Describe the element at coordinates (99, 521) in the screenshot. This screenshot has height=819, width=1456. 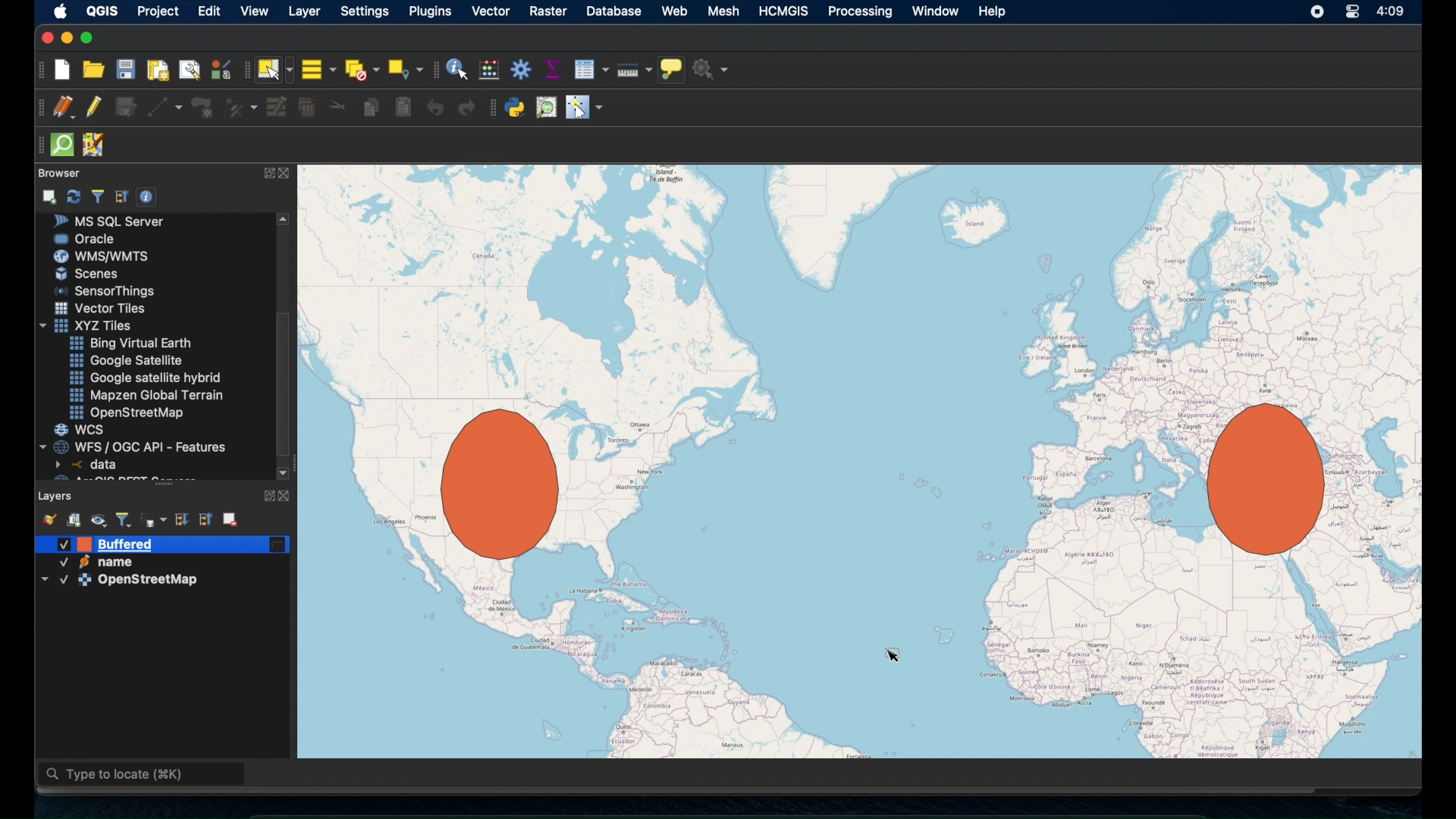
I see `manage map. themes` at that location.